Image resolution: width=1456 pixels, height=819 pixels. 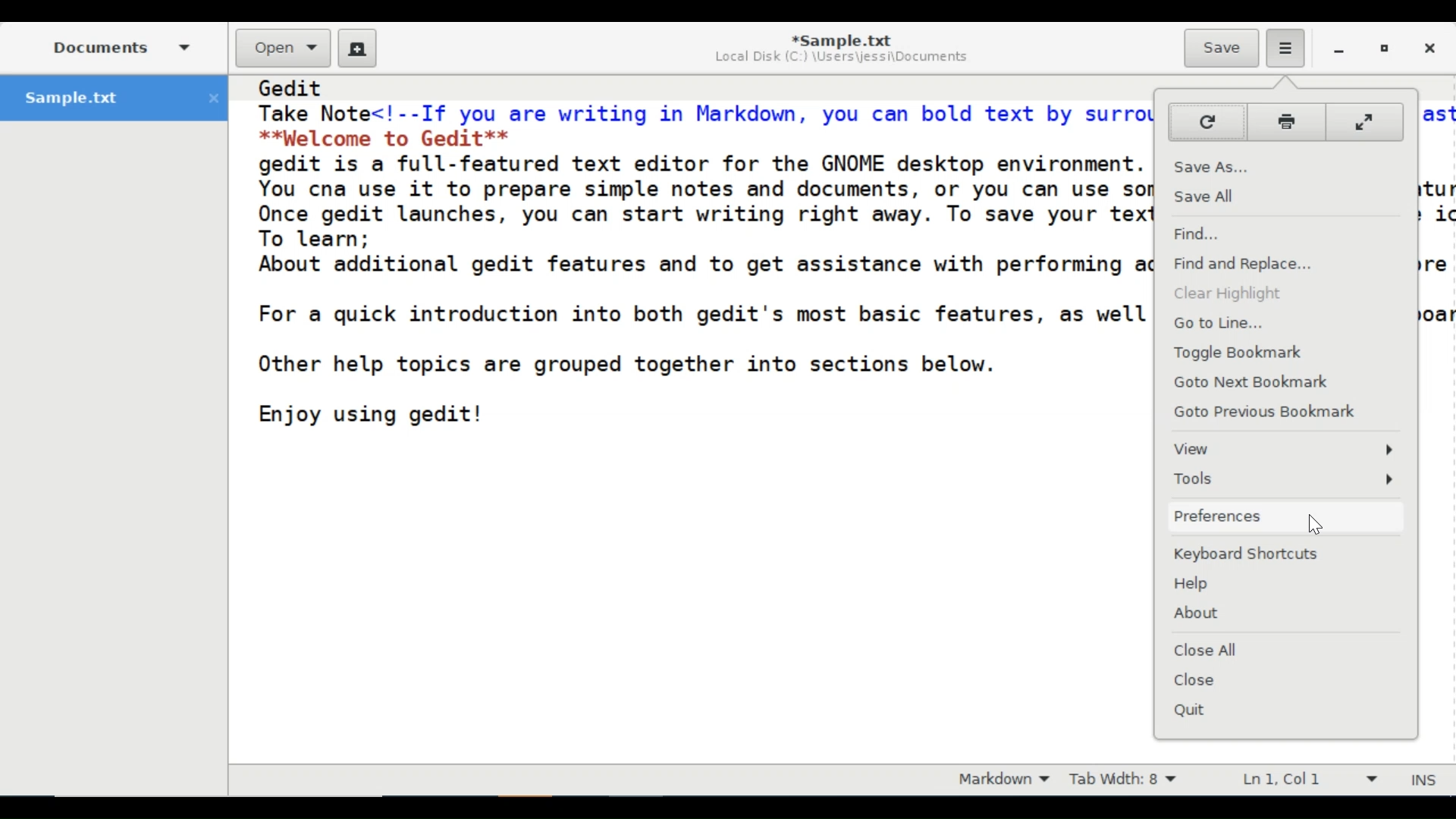 What do you see at coordinates (1211, 234) in the screenshot?
I see `Find` at bounding box center [1211, 234].